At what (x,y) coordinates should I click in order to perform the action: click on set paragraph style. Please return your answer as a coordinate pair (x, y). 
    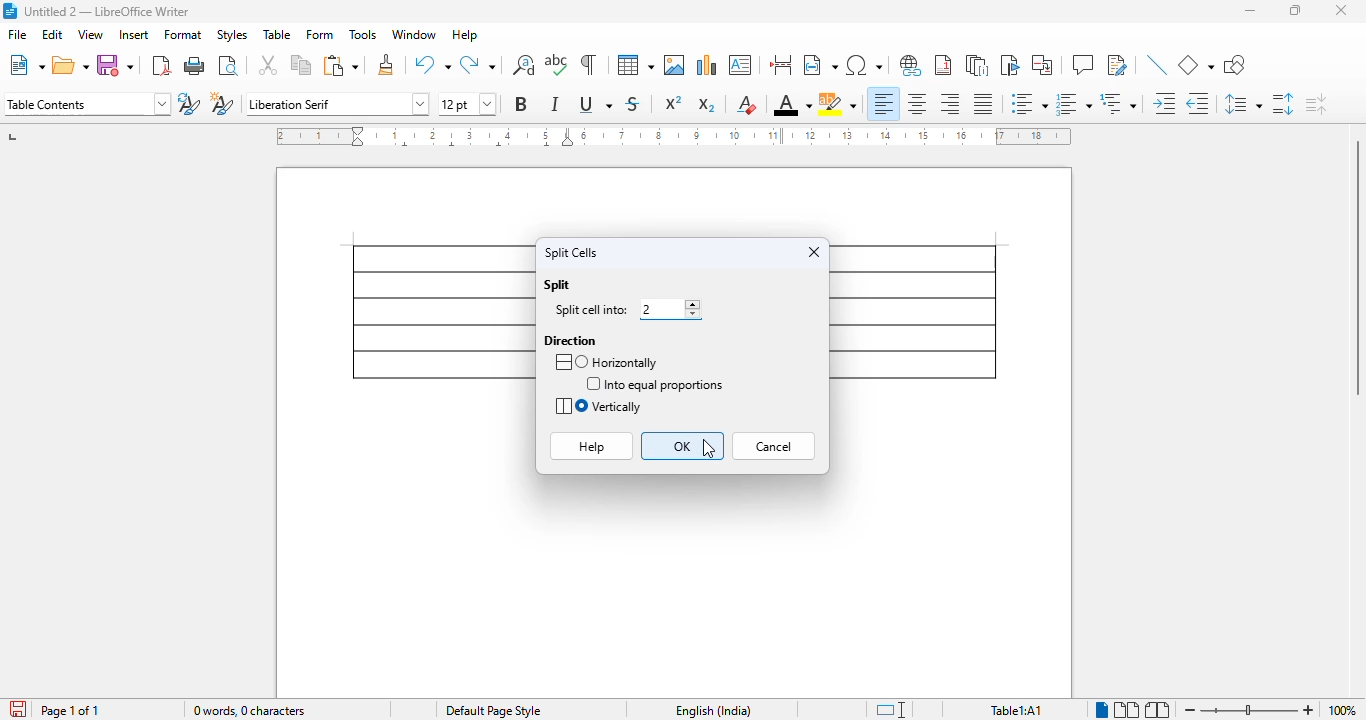
    Looking at the image, I should click on (86, 104).